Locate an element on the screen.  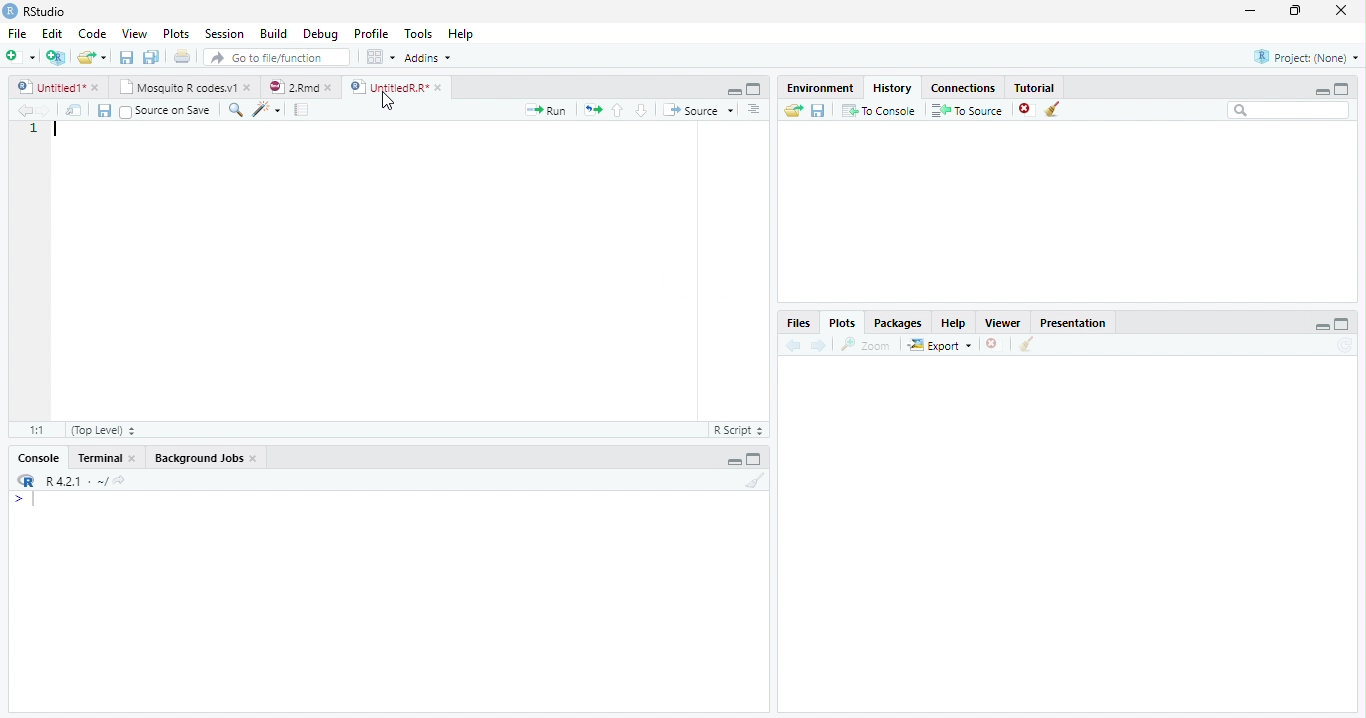
Environment is located at coordinates (819, 87).